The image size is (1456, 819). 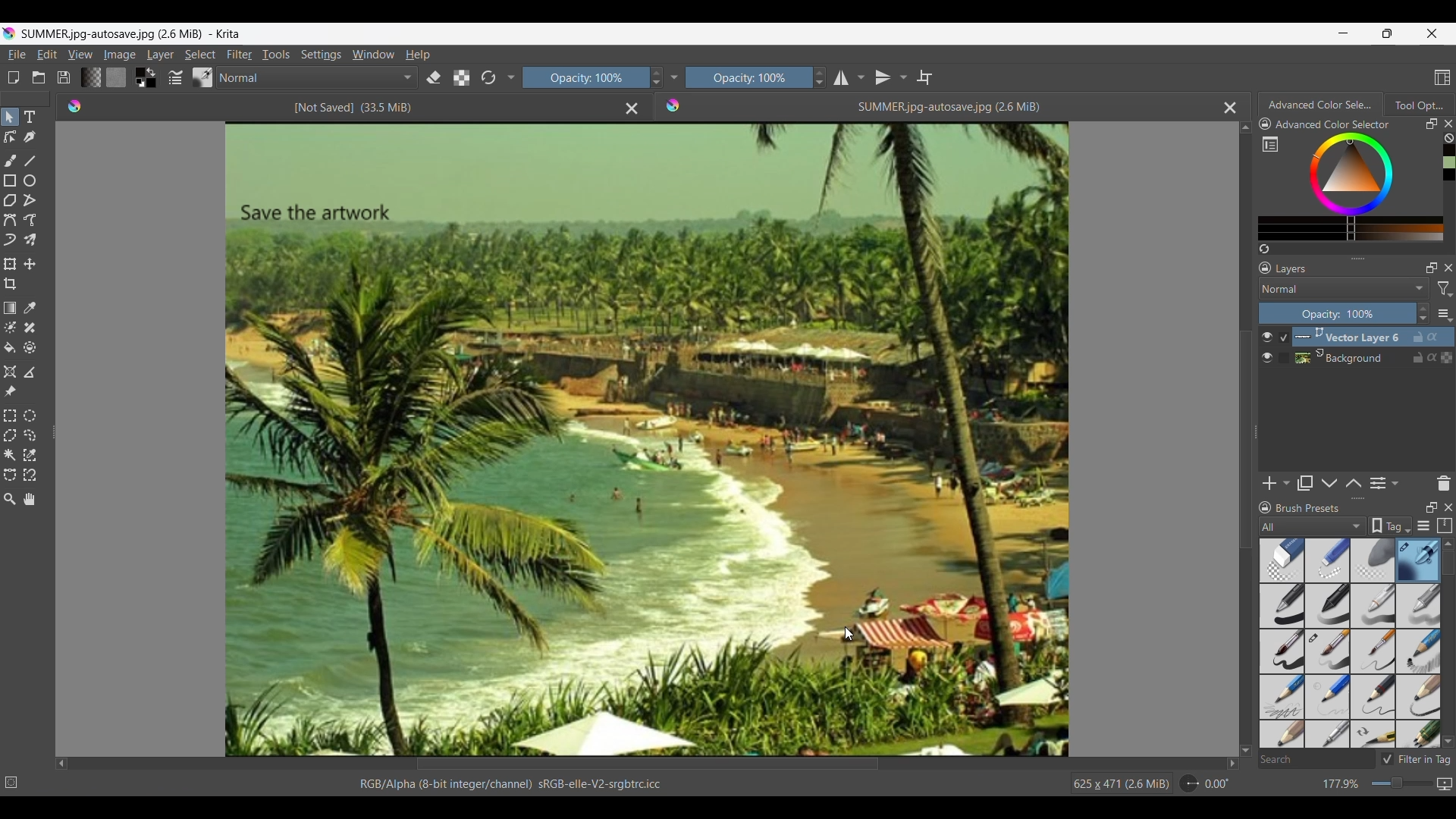 What do you see at coordinates (1232, 764) in the screenshot?
I see `Quick slide to right` at bounding box center [1232, 764].